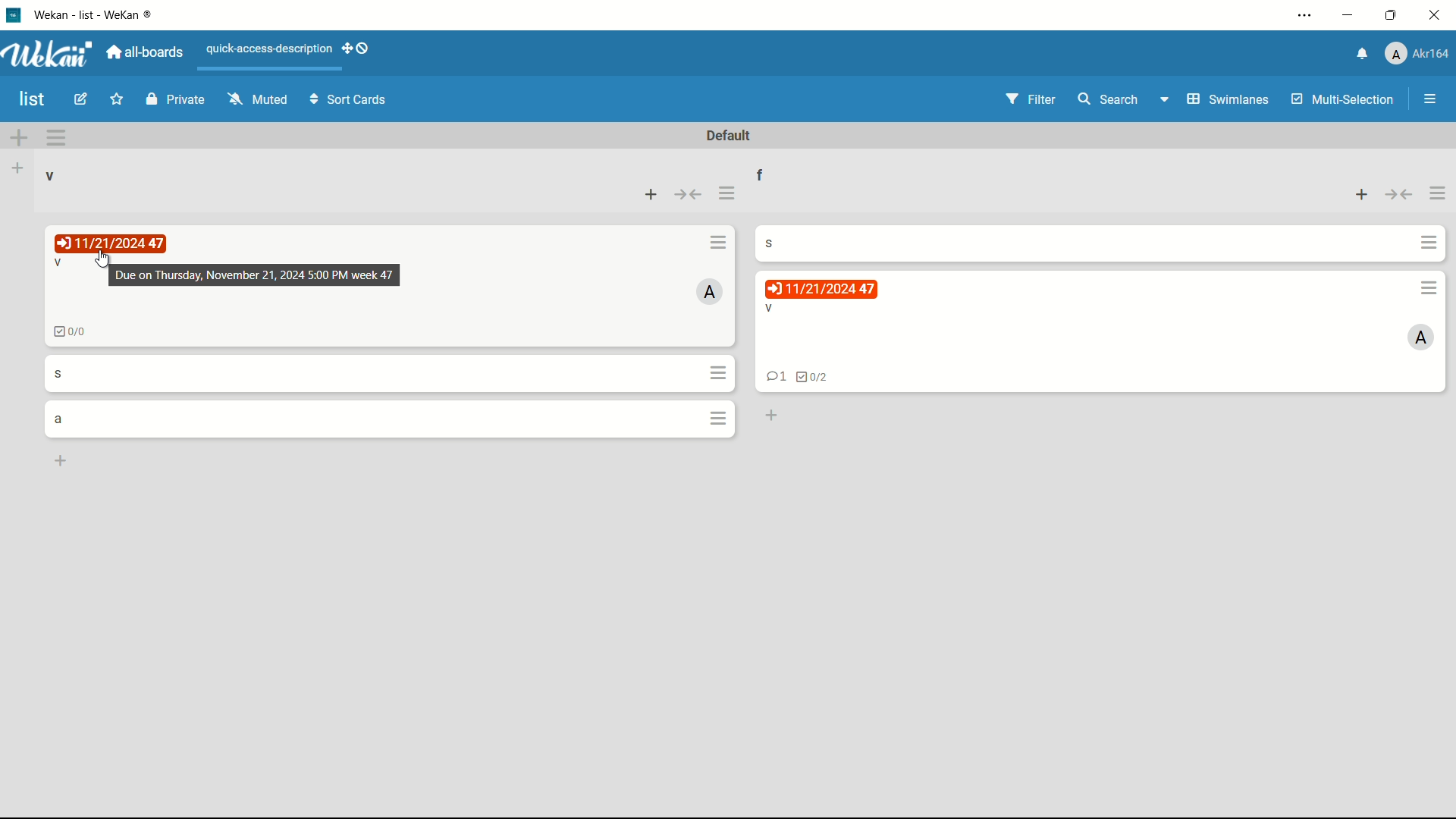 This screenshot has width=1456, height=819. I want to click on wekan icon, so click(19, 14).